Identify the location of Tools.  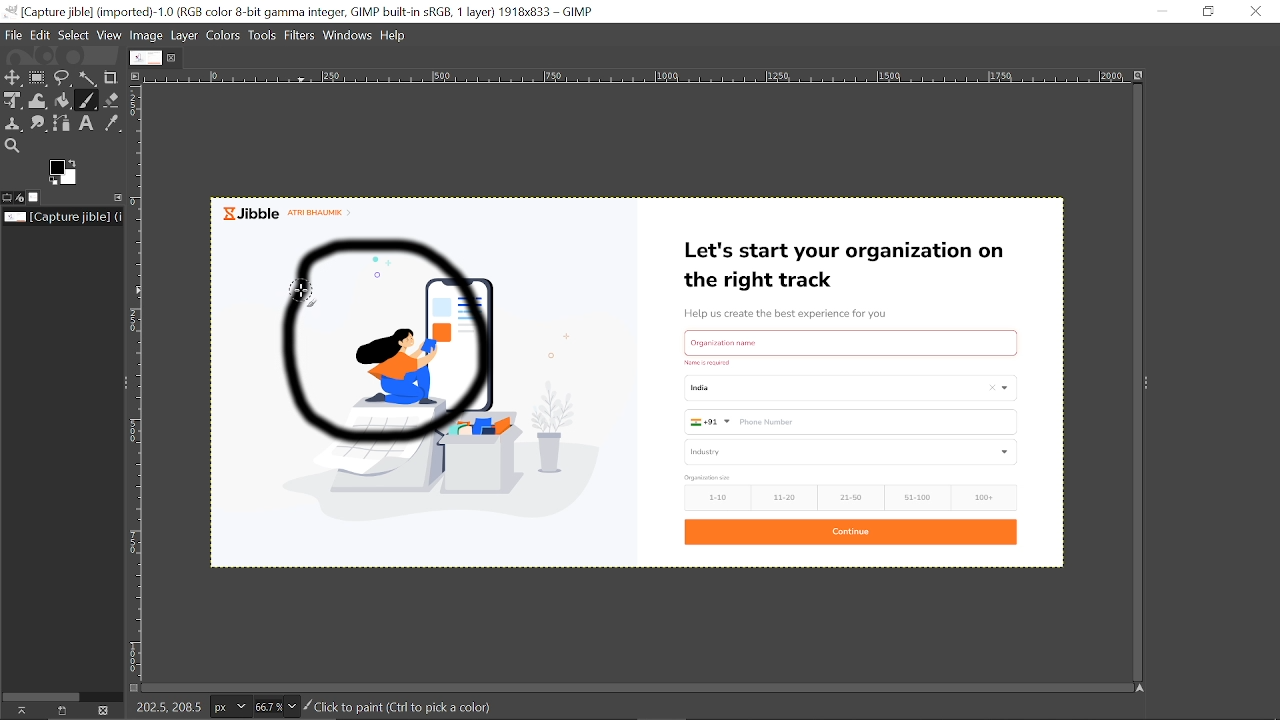
(264, 37).